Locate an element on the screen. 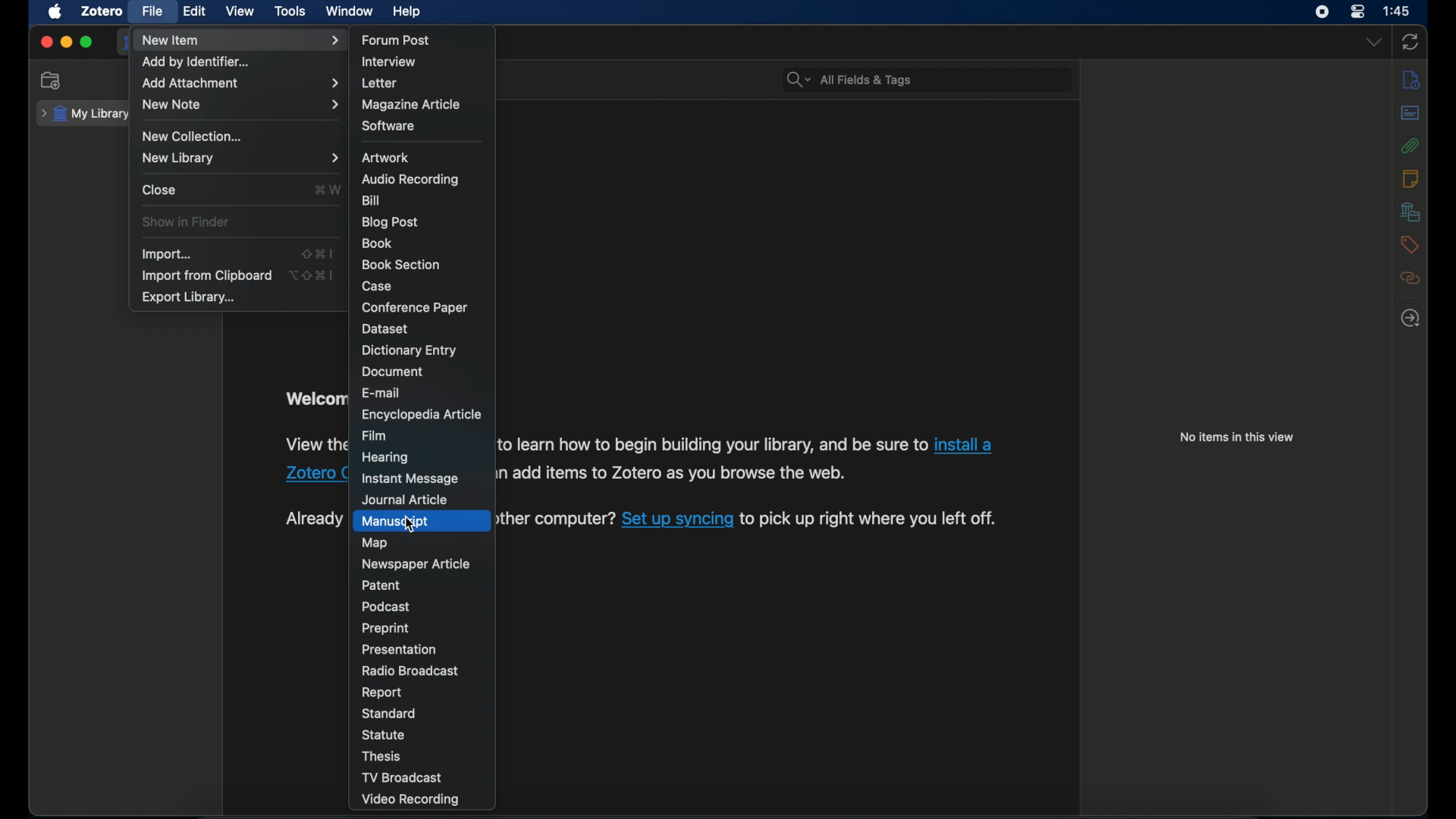 This screenshot has height=819, width=1456. Option + shift + command + I is located at coordinates (311, 275).